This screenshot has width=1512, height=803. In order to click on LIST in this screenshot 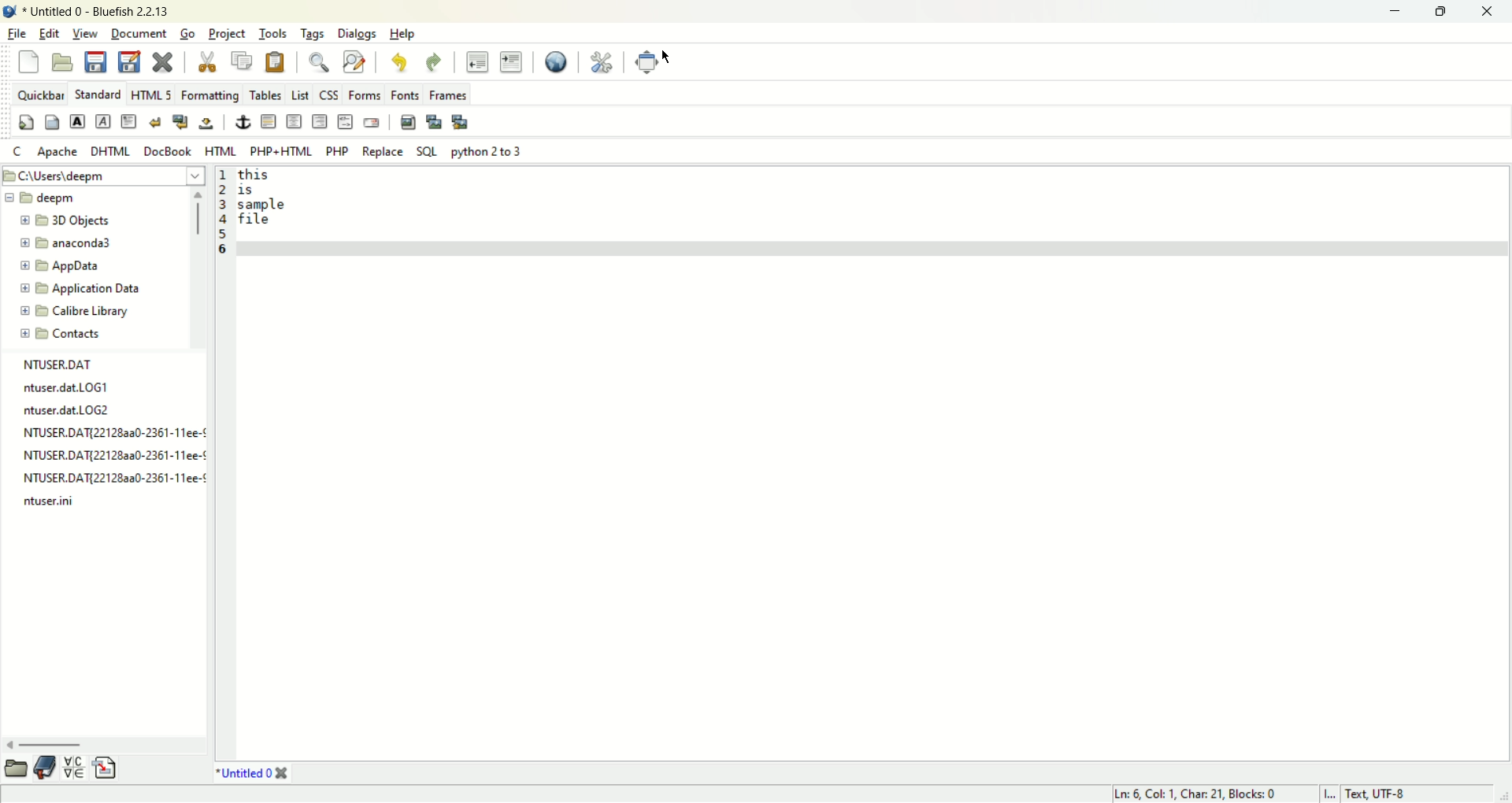, I will do `click(302, 95)`.